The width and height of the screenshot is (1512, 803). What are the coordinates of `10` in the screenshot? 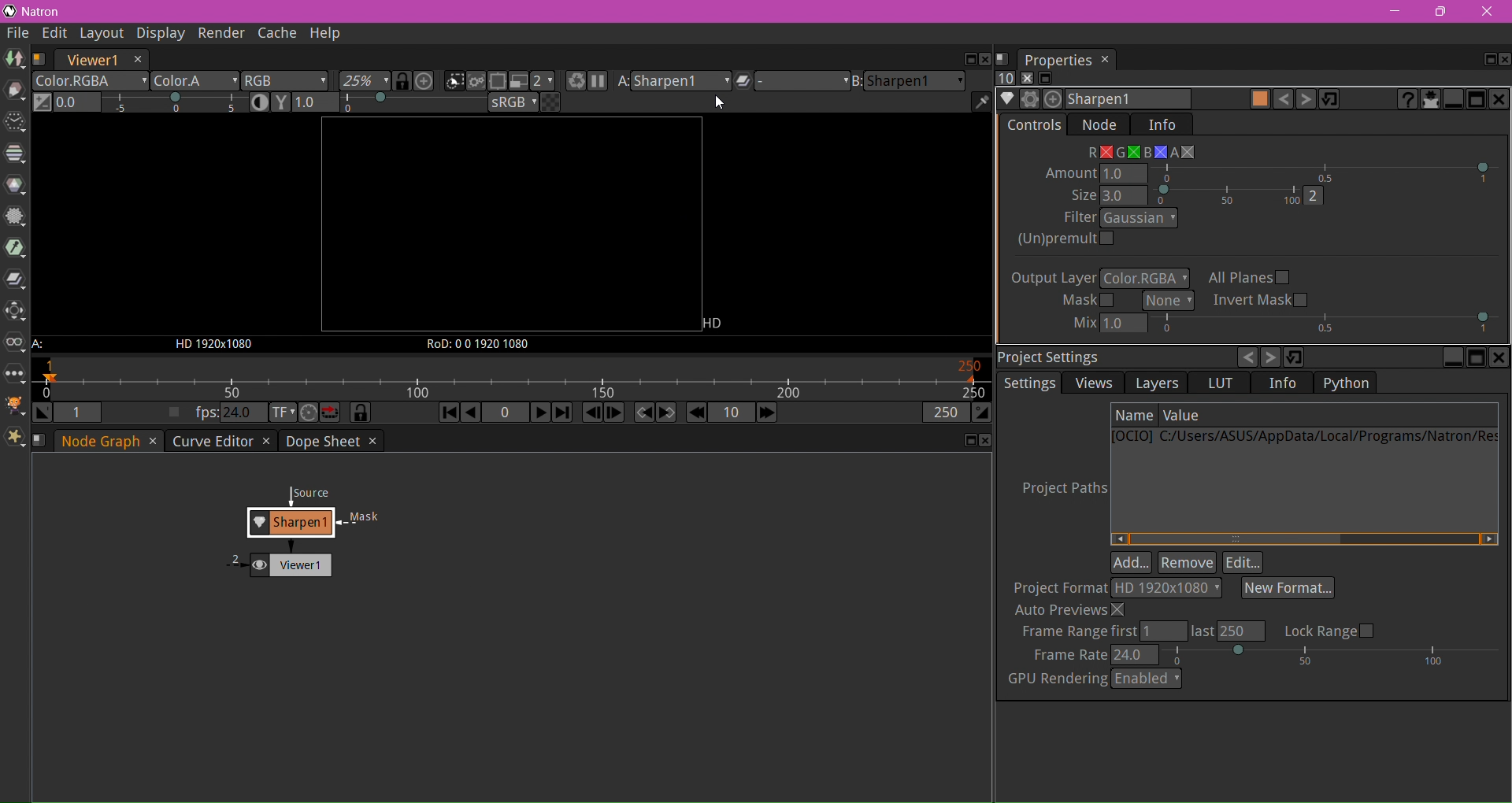 It's located at (1006, 79).